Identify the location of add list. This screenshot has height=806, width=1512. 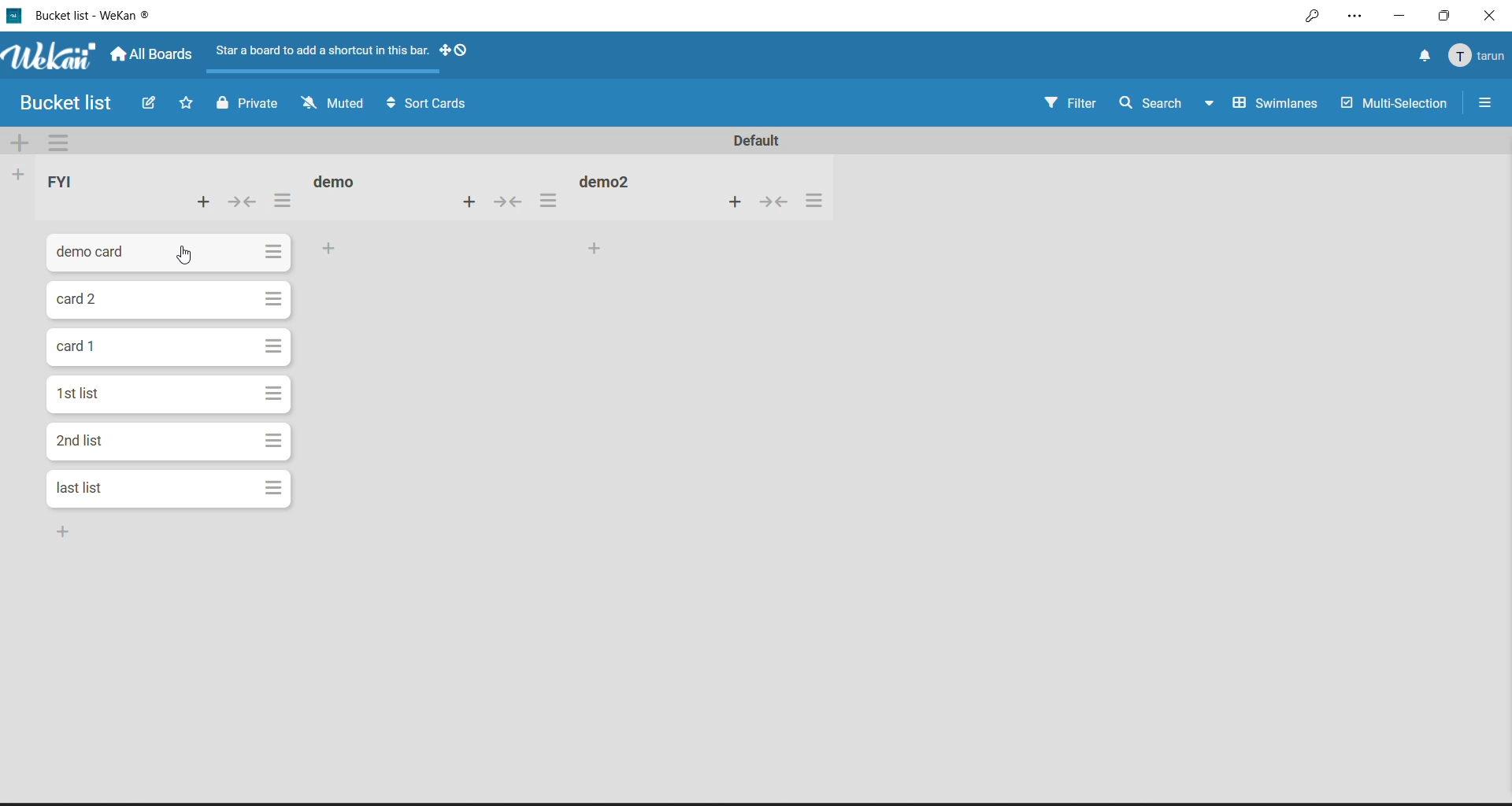
(22, 175).